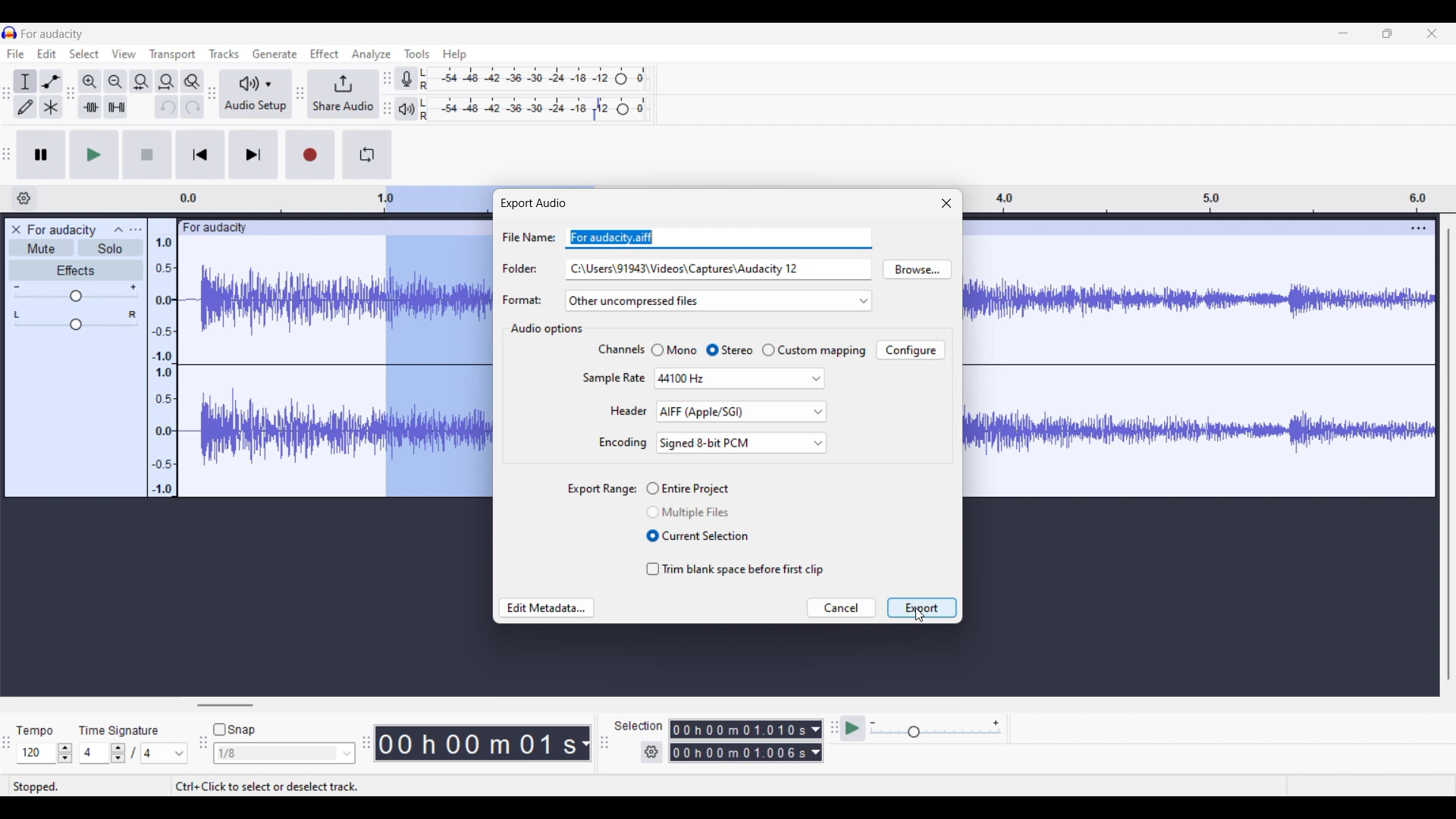 This screenshot has width=1456, height=819. I want to click on tempo, so click(35, 731).